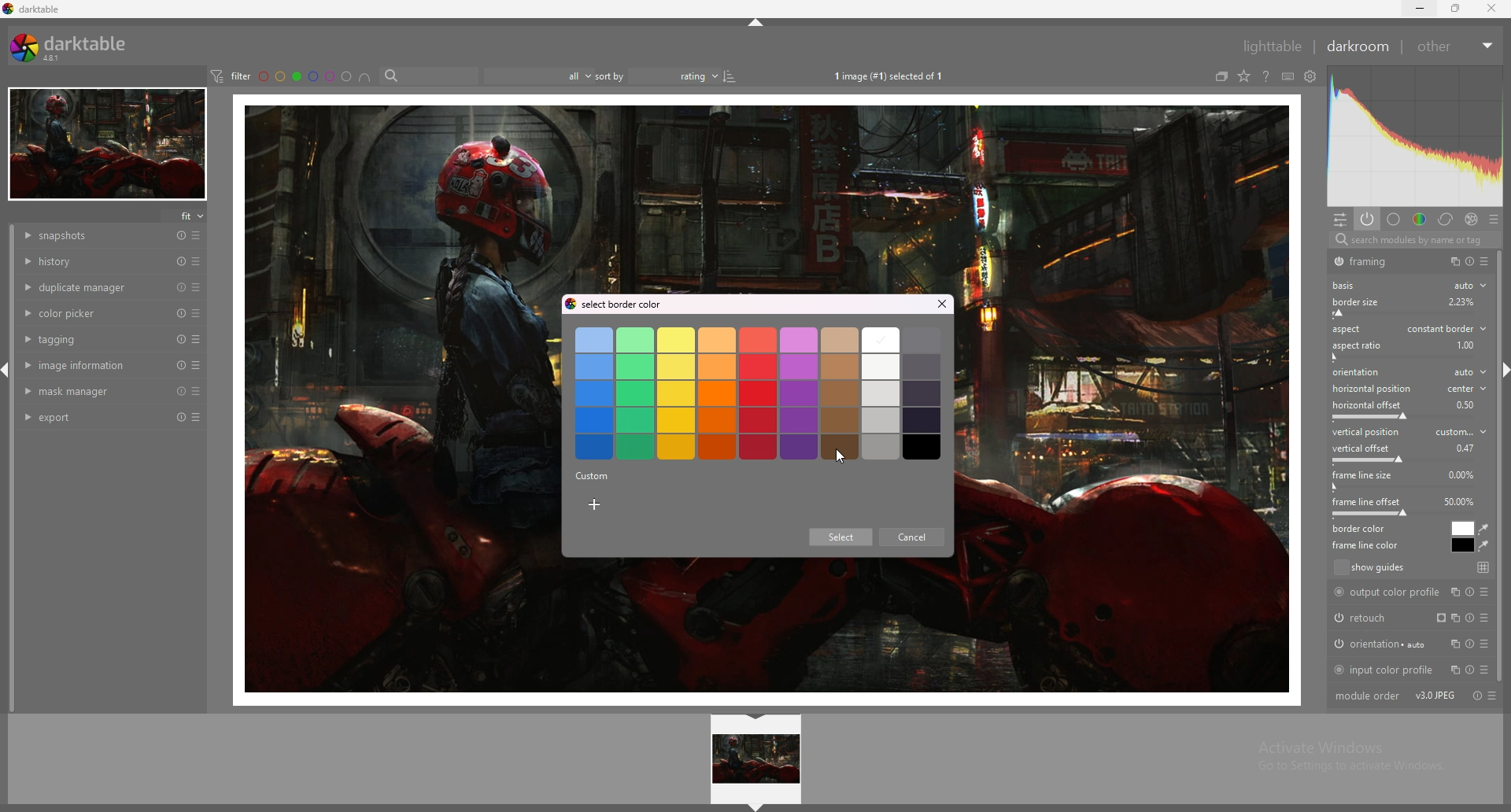 The width and height of the screenshot is (1511, 812). What do you see at coordinates (1243, 76) in the screenshot?
I see `change type of overlays shown` at bounding box center [1243, 76].